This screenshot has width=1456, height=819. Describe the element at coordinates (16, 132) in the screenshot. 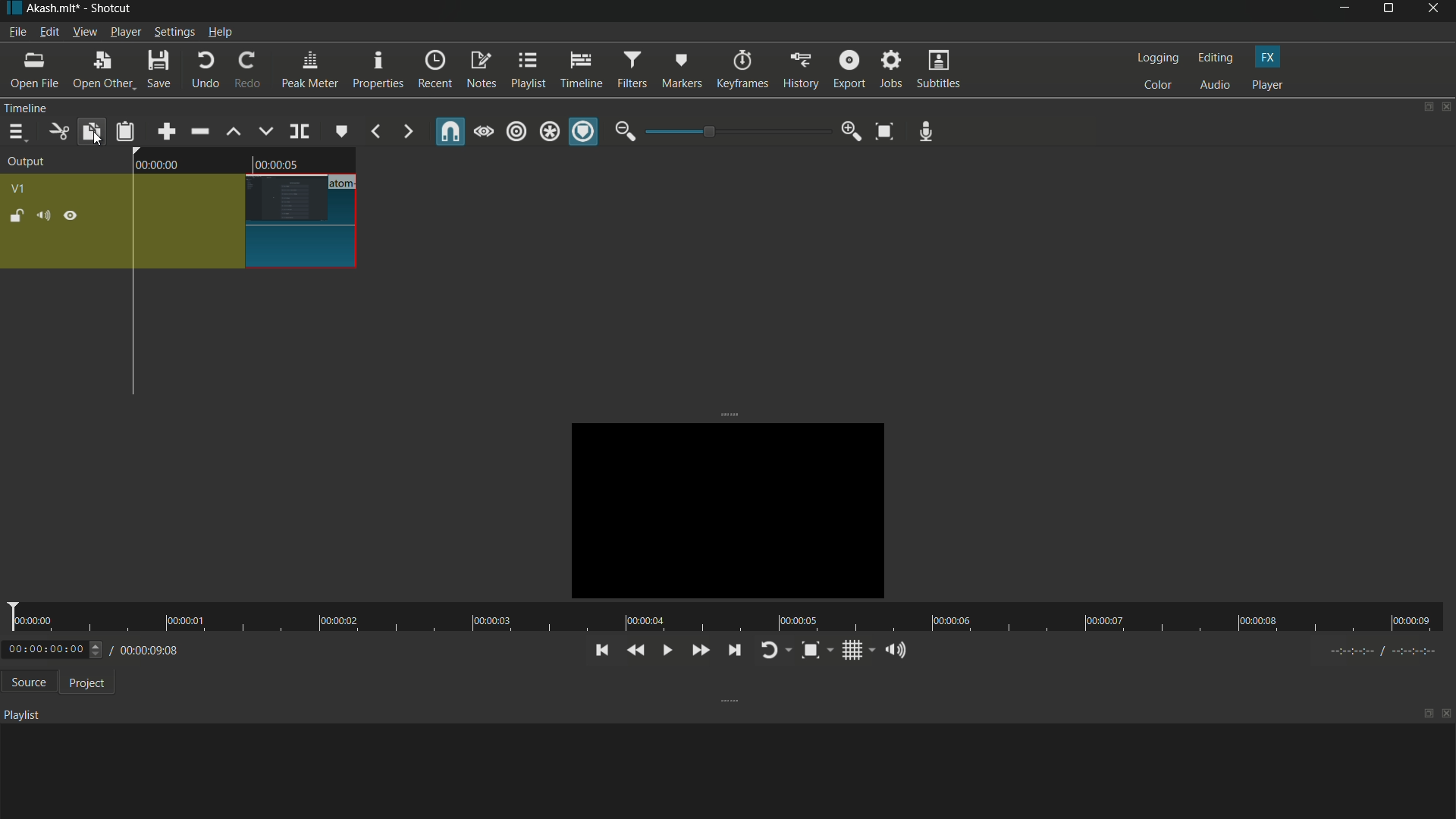

I see `timeline menu` at that location.